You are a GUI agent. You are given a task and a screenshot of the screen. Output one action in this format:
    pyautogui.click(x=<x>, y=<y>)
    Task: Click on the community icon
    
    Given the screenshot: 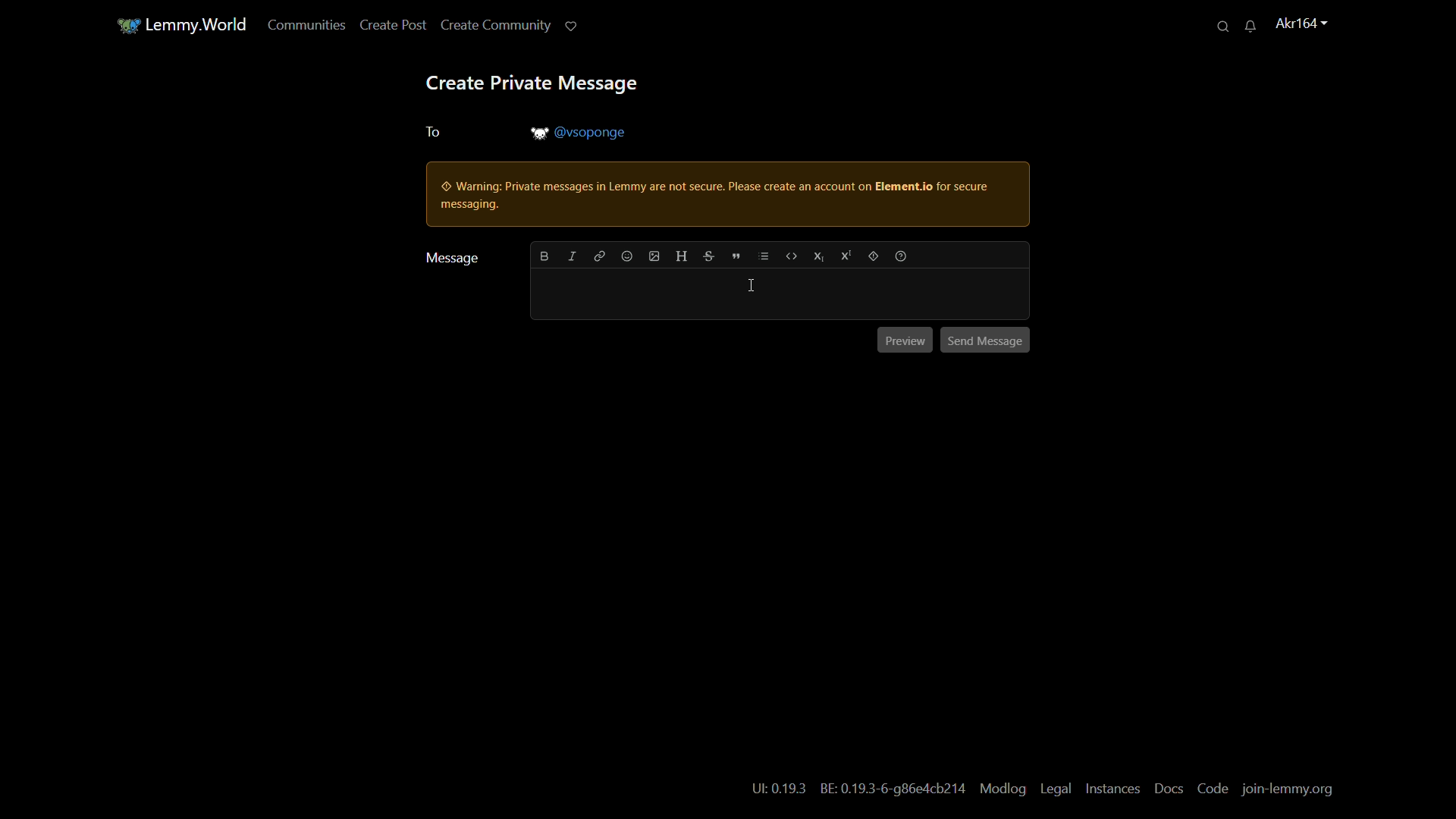 What is the action you would take?
    pyautogui.click(x=118, y=24)
    